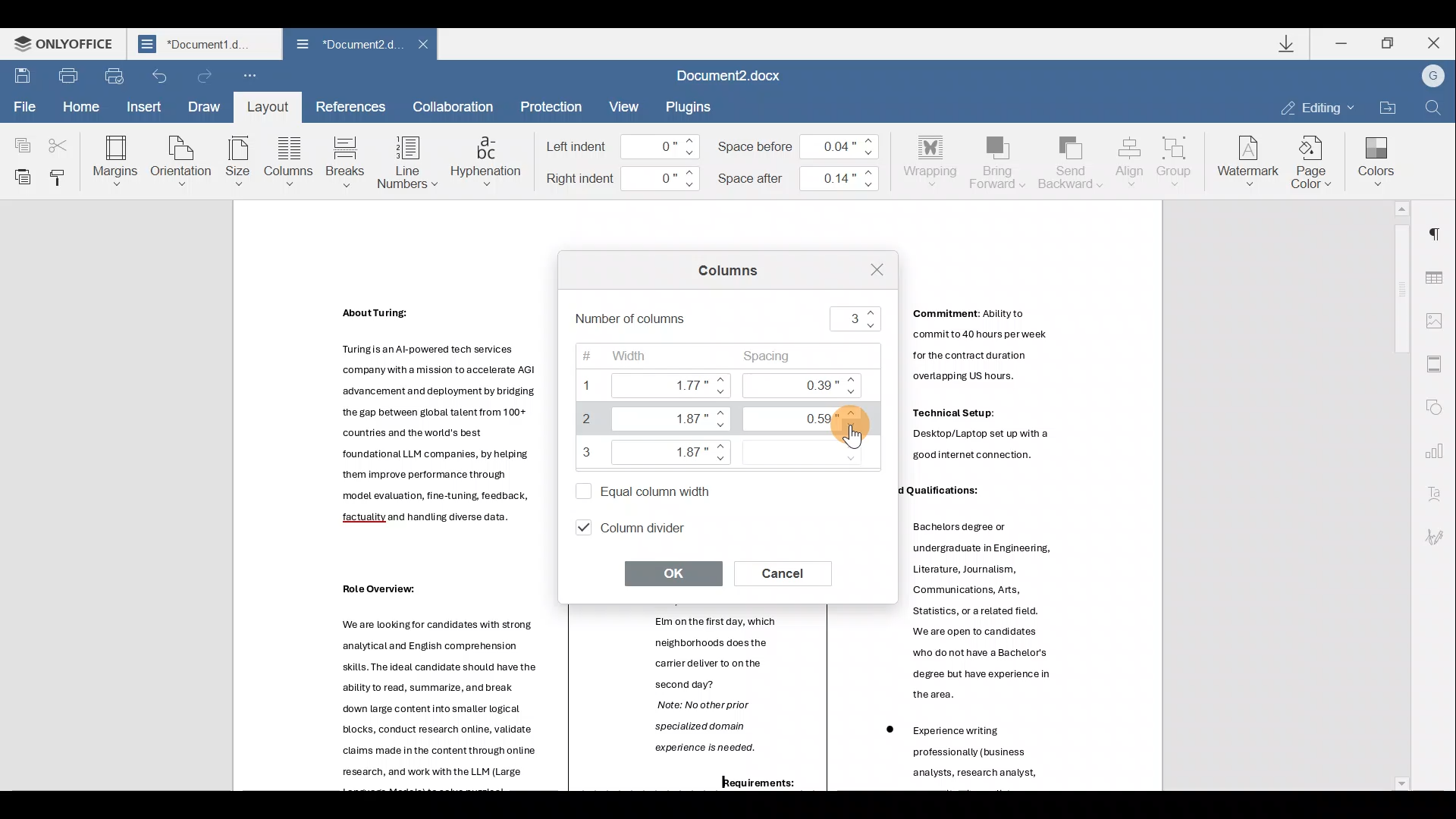 This screenshot has width=1456, height=819. I want to click on Close, so click(428, 46).